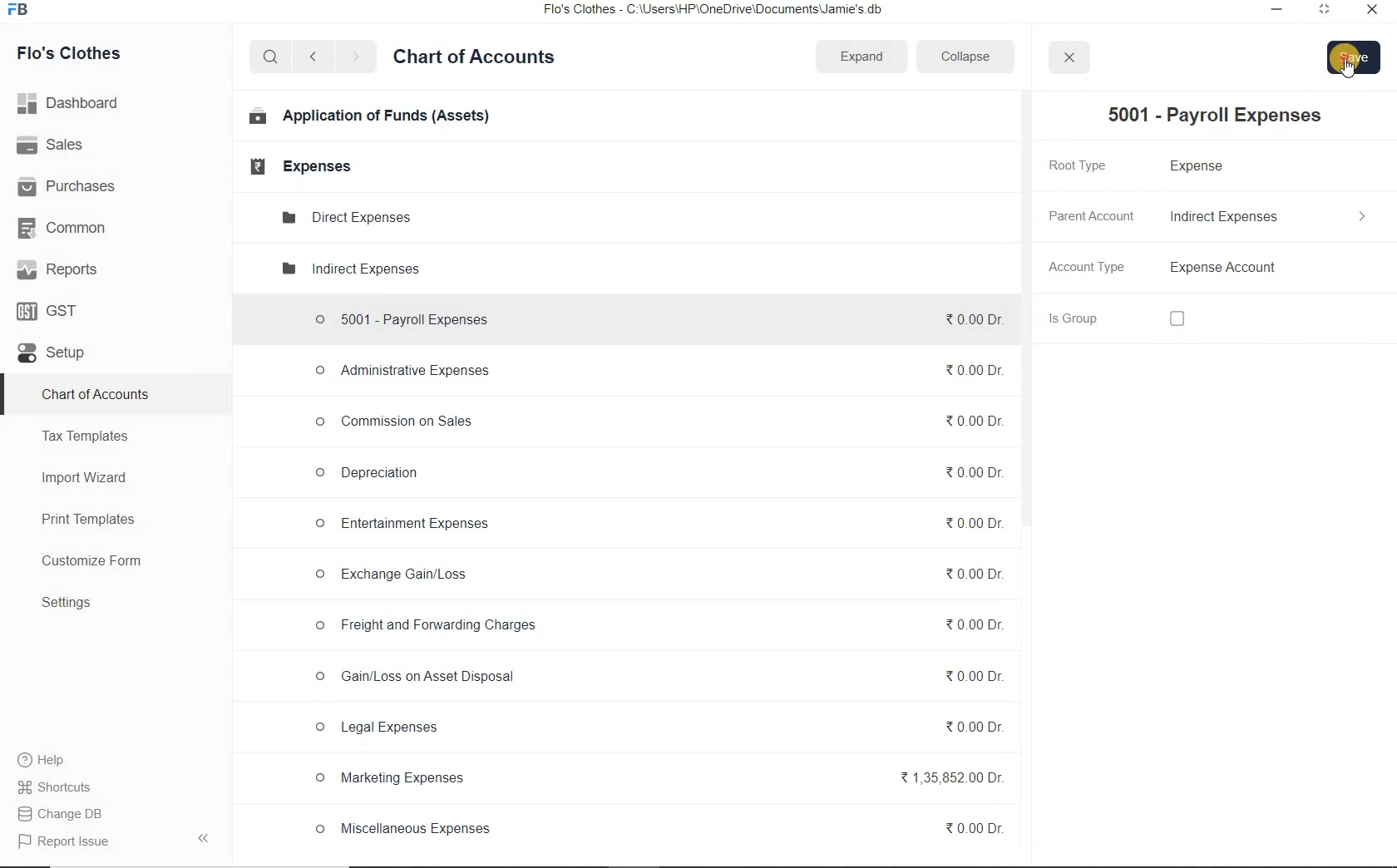  I want to click on vertical scrollbar, so click(1024, 310).